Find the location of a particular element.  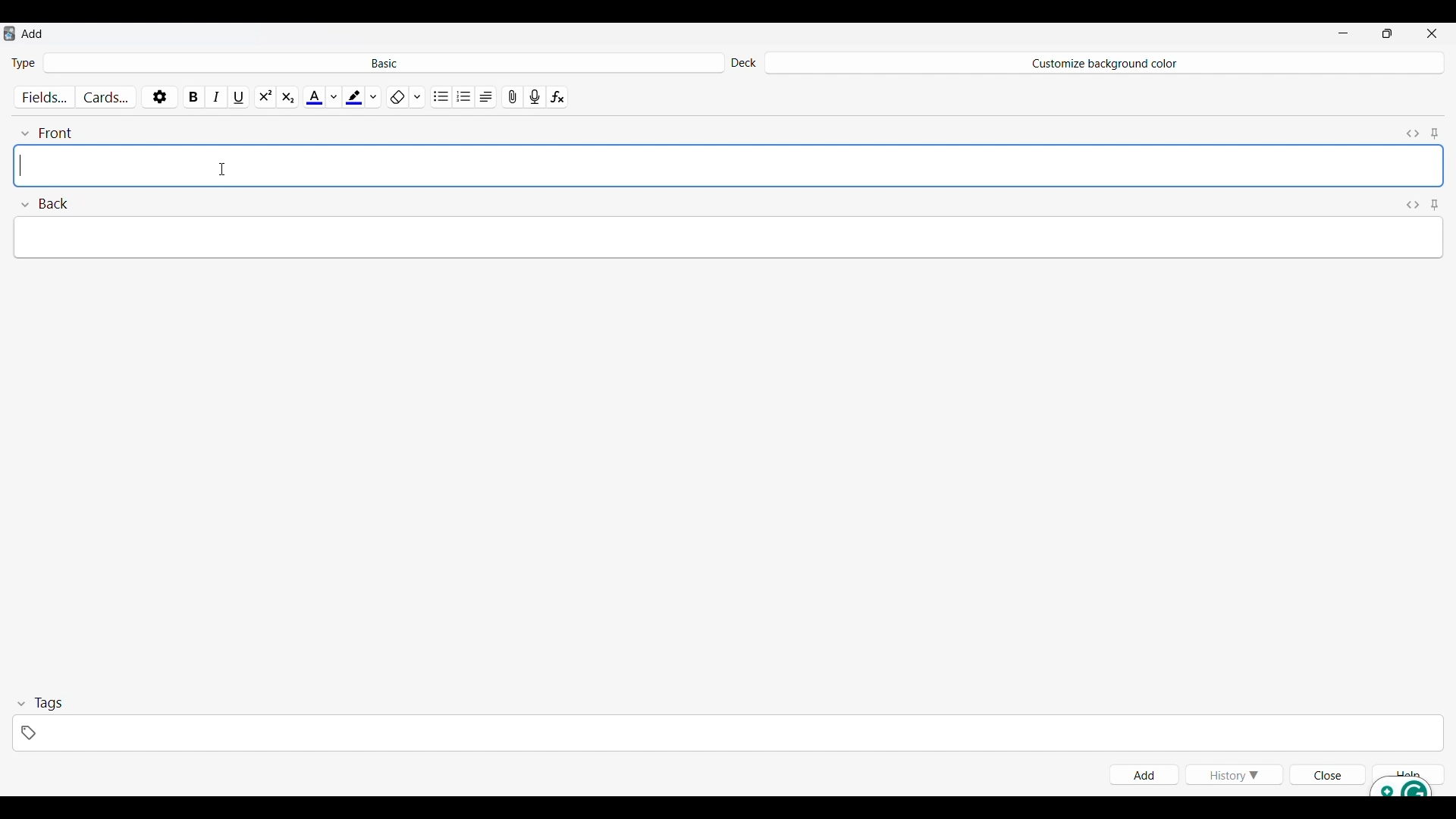

 is located at coordinates (1329, 775).